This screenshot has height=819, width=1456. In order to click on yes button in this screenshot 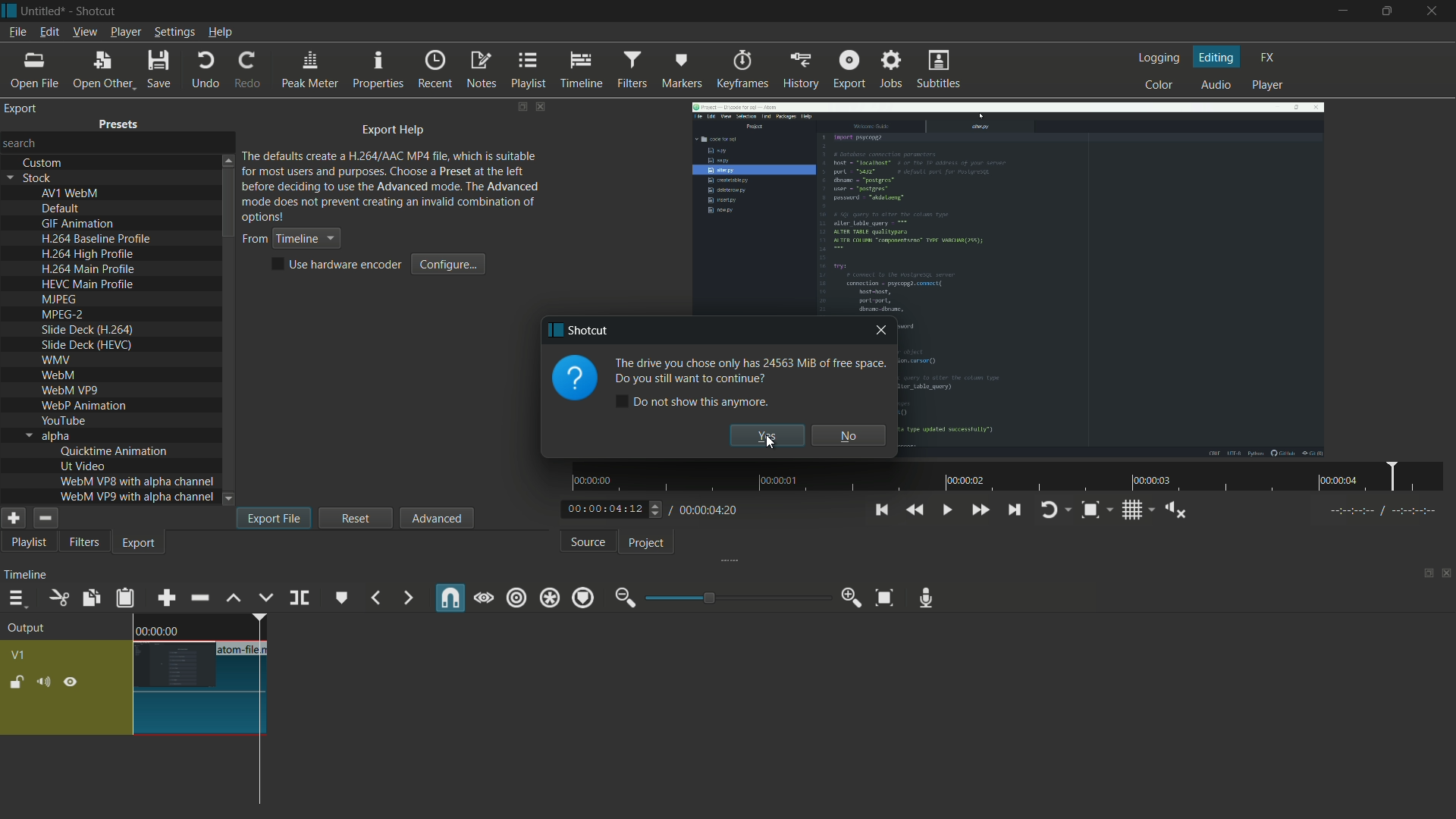, I will do `click(767, 436)`.